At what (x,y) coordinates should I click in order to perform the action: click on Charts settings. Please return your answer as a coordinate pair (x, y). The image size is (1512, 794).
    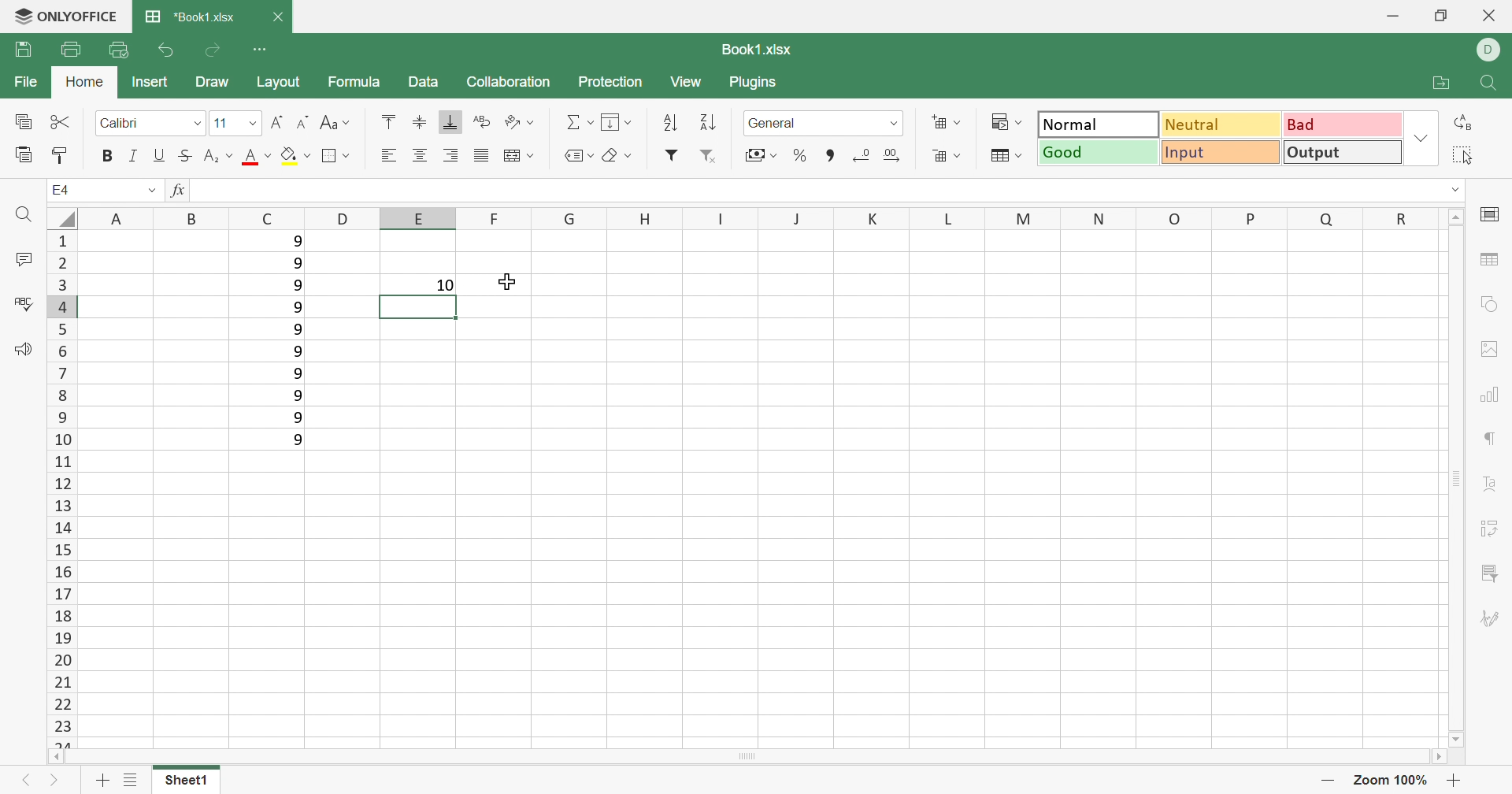
    Looking at the image, I should click on (1492, 396).